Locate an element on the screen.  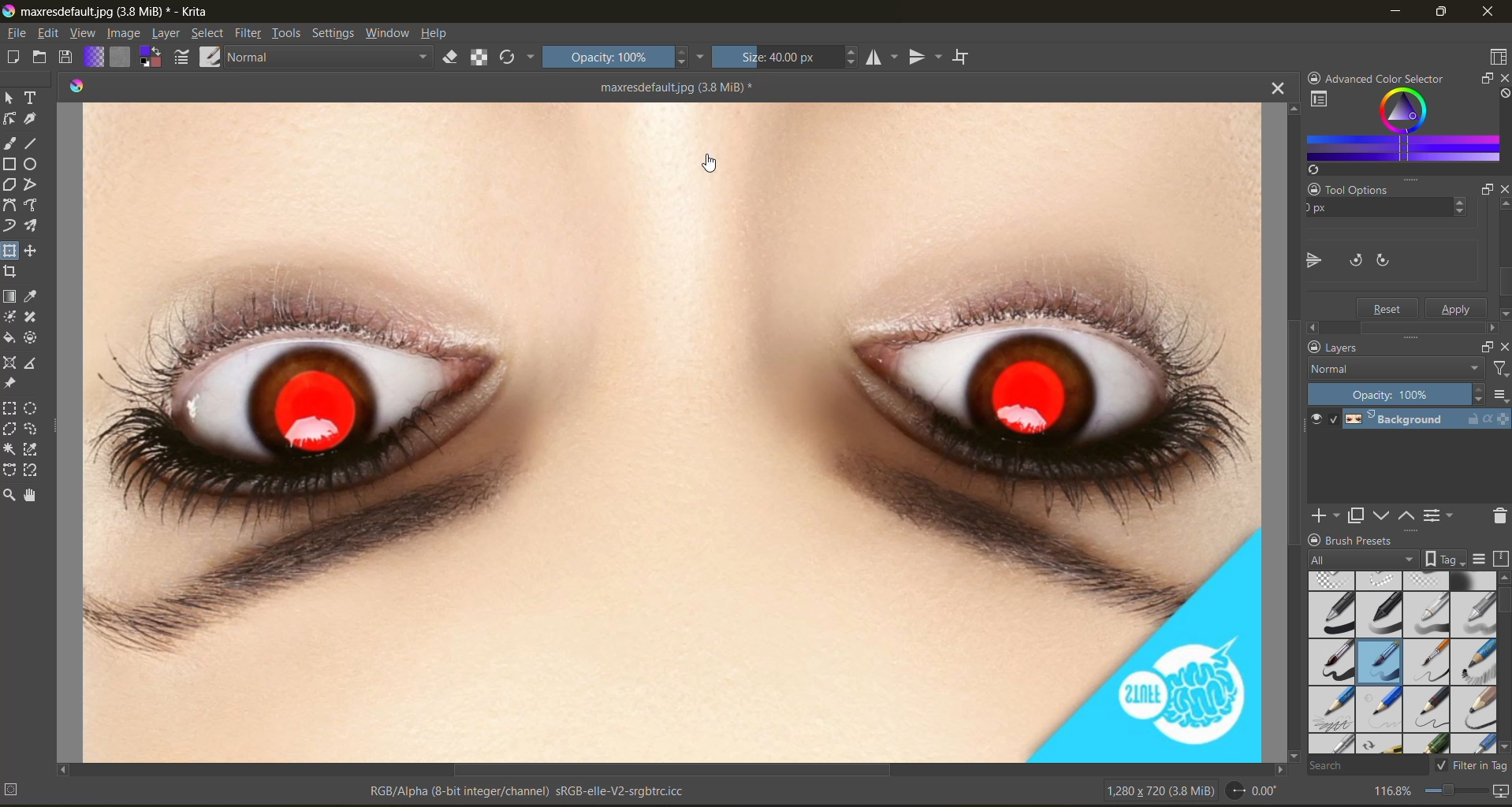
tool is located at coordinates (13, 272).